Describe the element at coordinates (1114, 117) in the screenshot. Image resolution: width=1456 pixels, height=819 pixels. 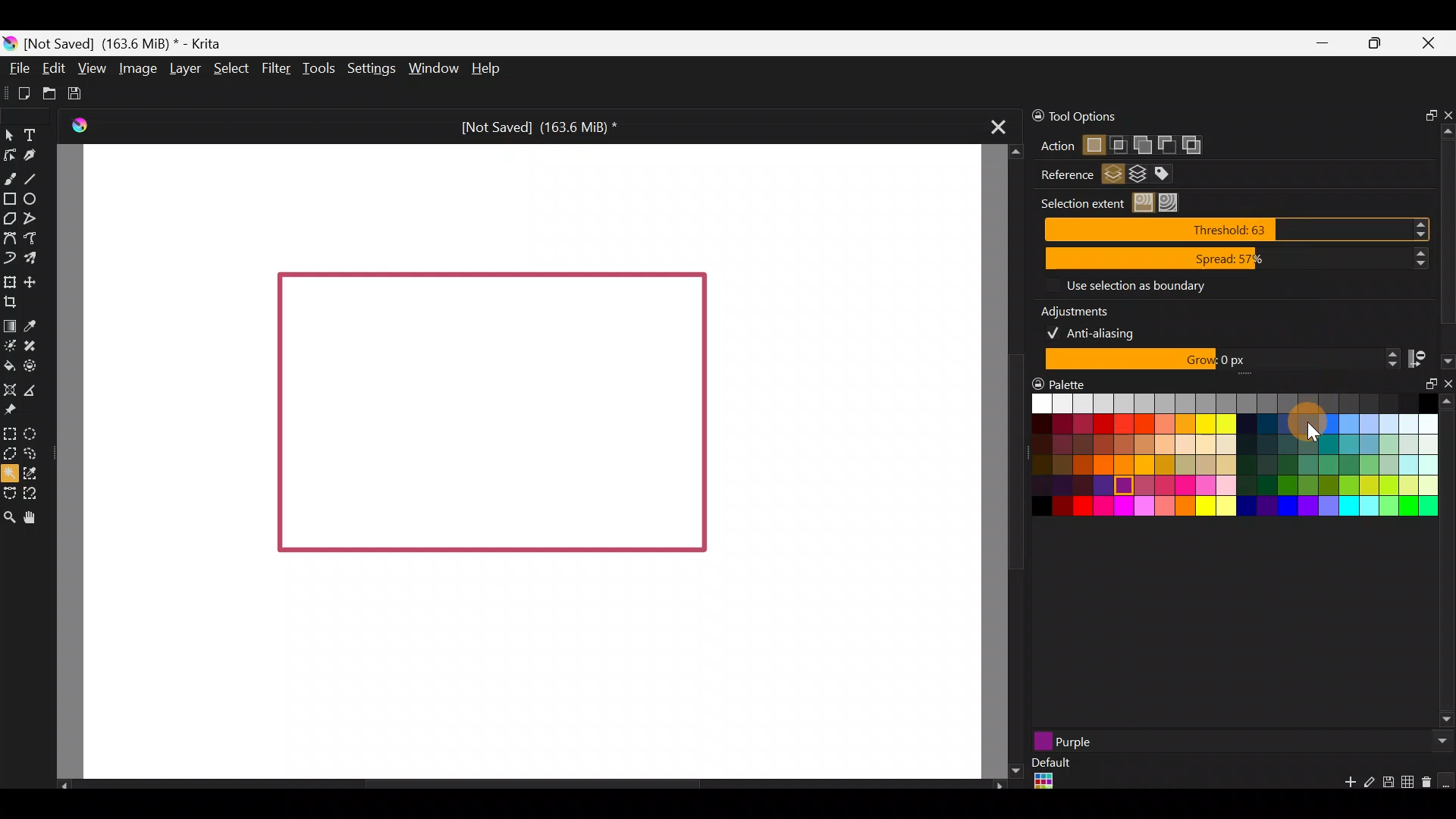
I see `Tool options` at that location.